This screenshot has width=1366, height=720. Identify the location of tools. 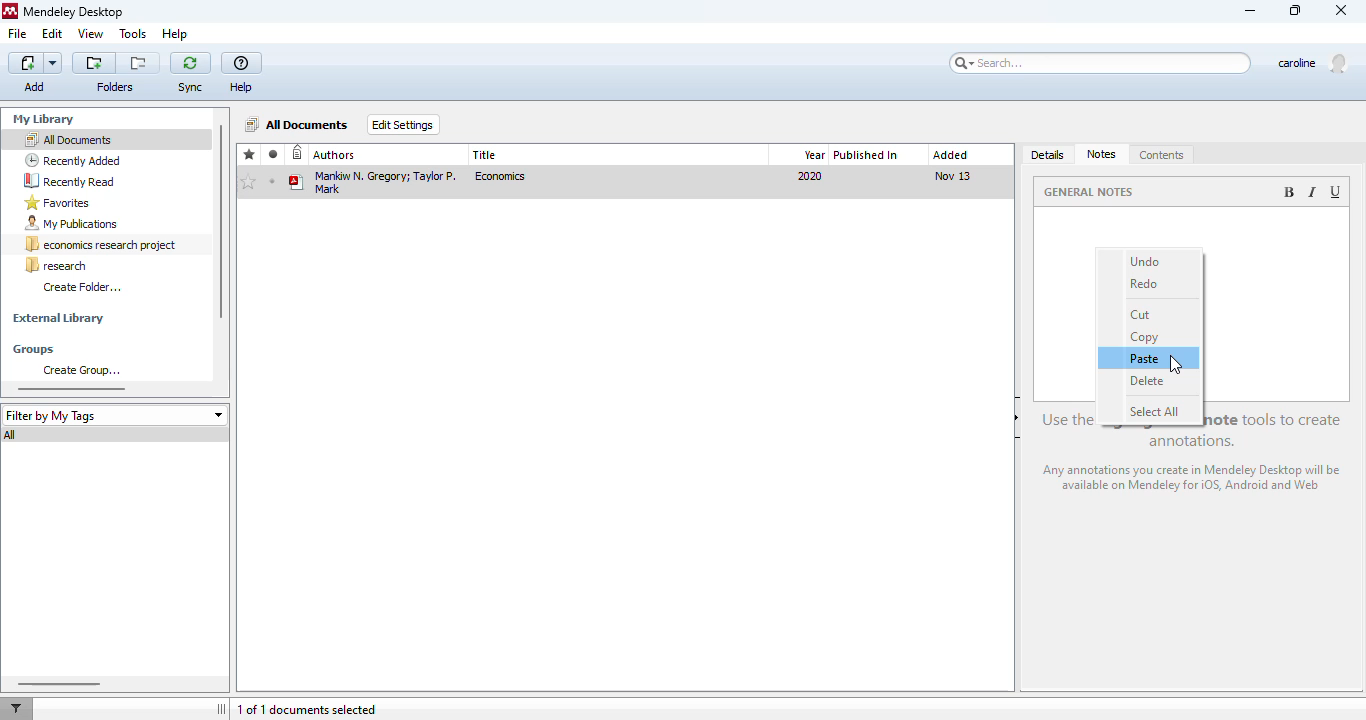
(133, 35).